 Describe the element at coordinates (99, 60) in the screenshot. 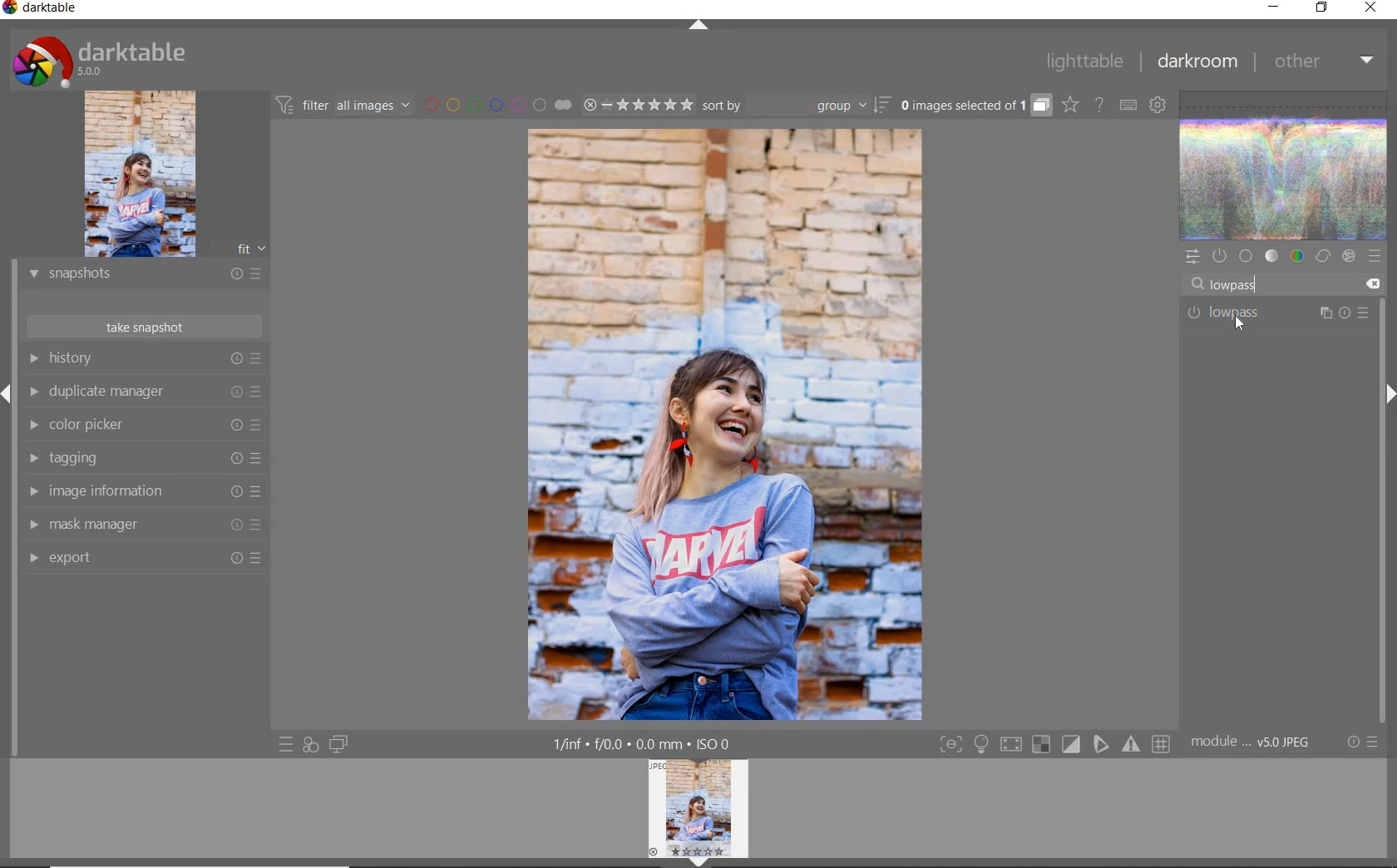

I see `system logo` at that location.